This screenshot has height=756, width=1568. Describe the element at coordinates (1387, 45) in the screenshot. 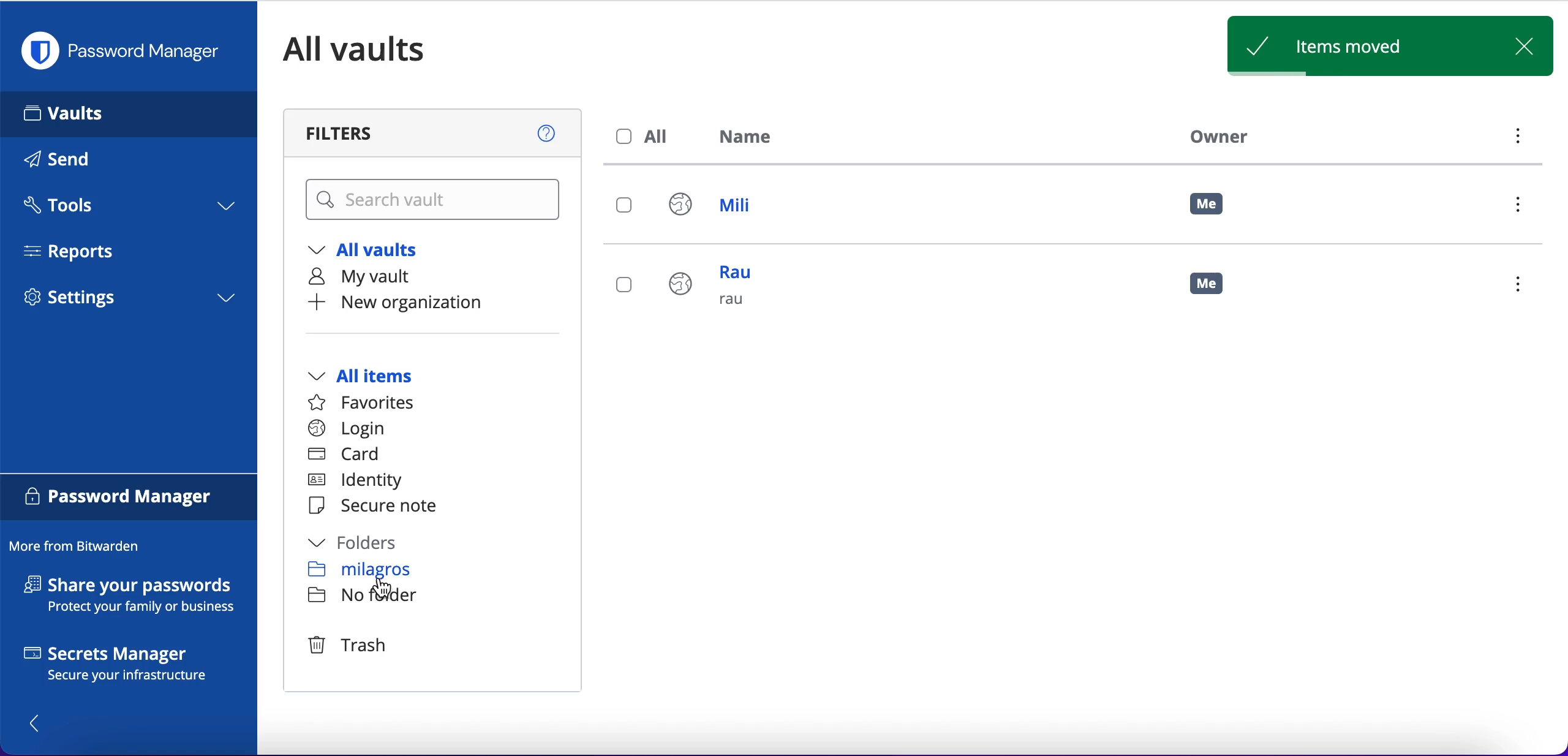

I see `items moved ` at that location.